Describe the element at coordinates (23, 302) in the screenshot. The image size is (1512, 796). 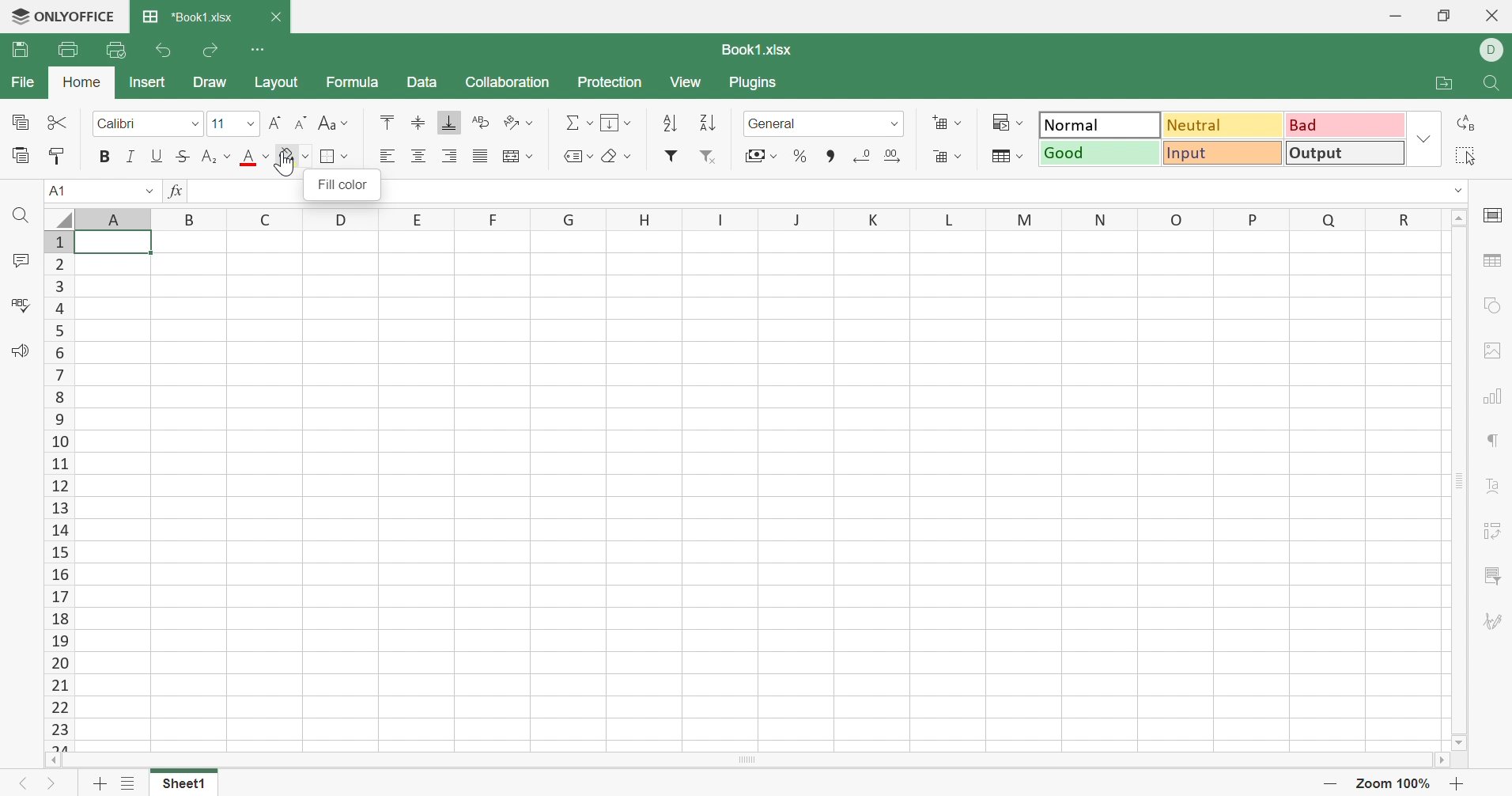
I see `Check Spelling` at that location.